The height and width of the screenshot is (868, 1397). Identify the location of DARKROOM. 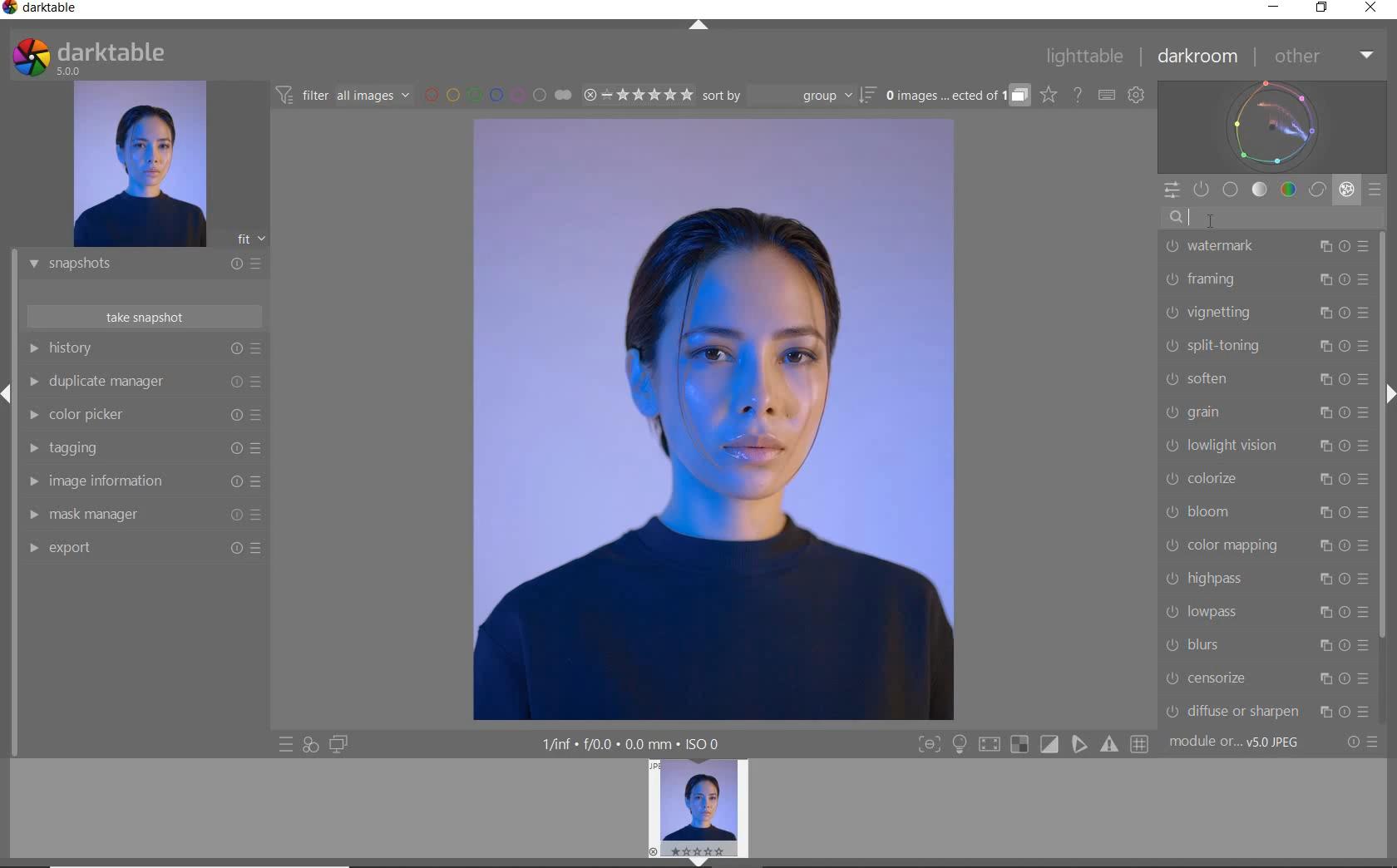
(1198, 57).